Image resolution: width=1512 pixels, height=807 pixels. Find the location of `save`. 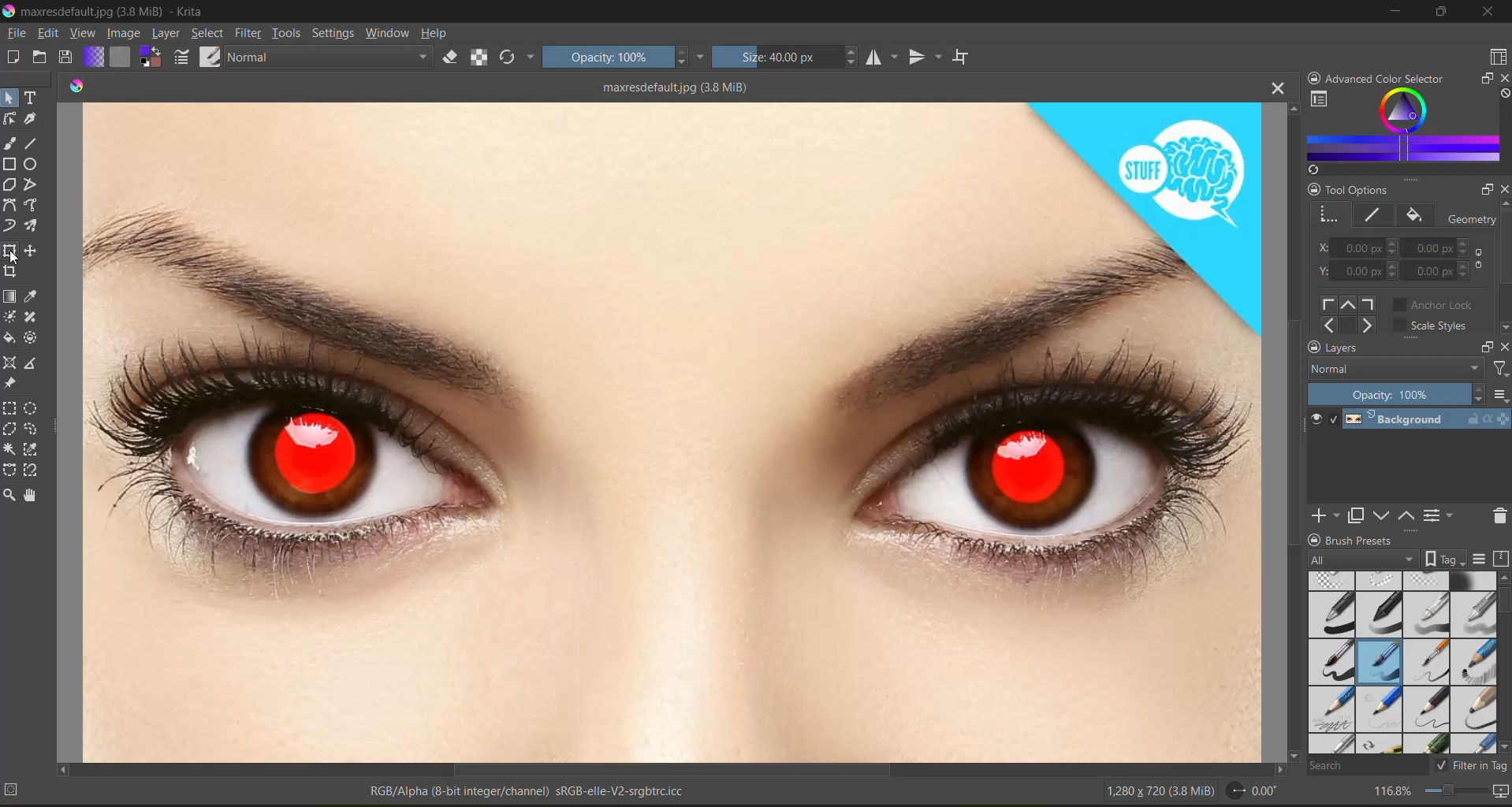

save is located at coordinates (70, 56).